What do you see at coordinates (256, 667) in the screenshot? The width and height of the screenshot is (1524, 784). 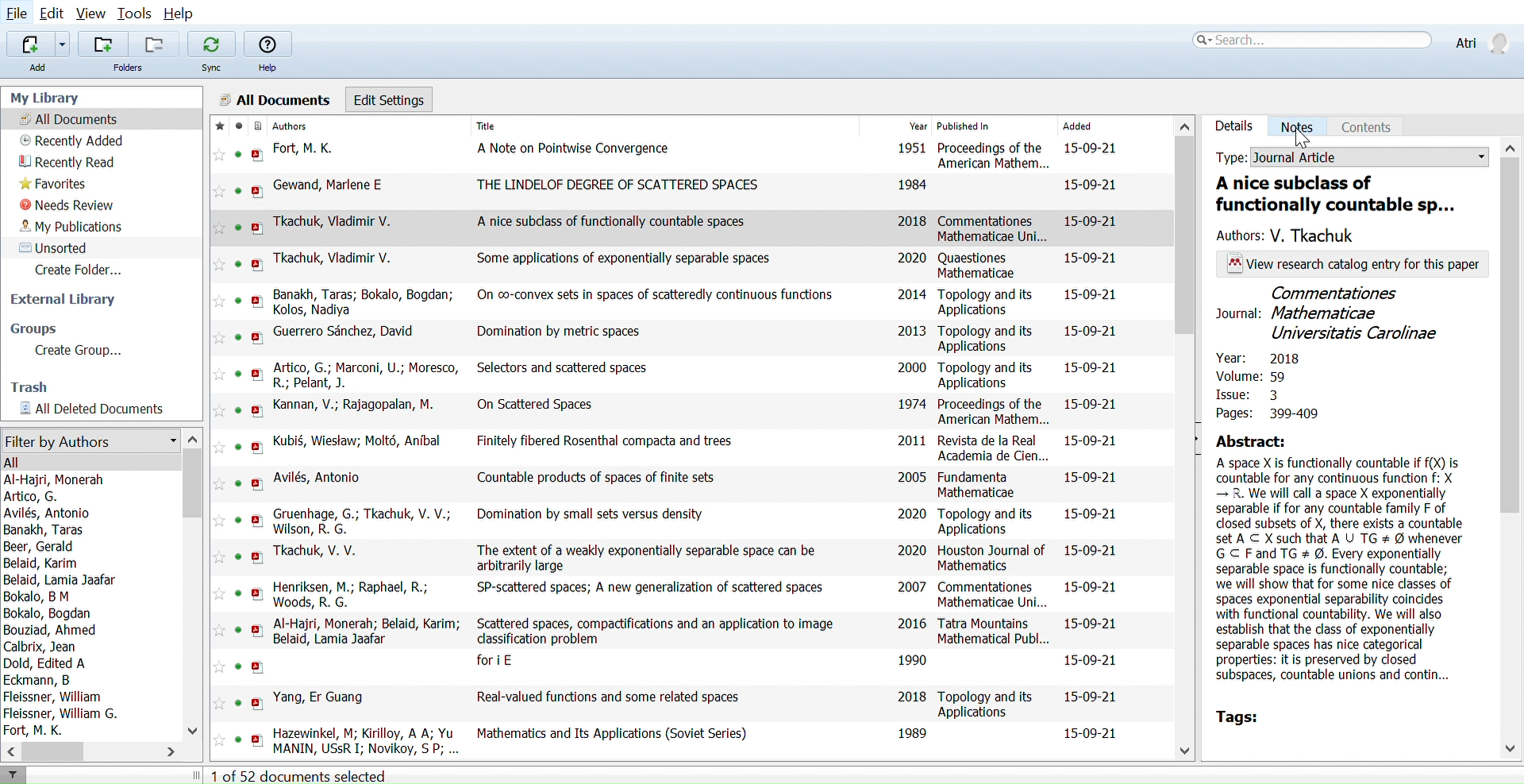 I see `open PDF` at bounding box center [256, 667].